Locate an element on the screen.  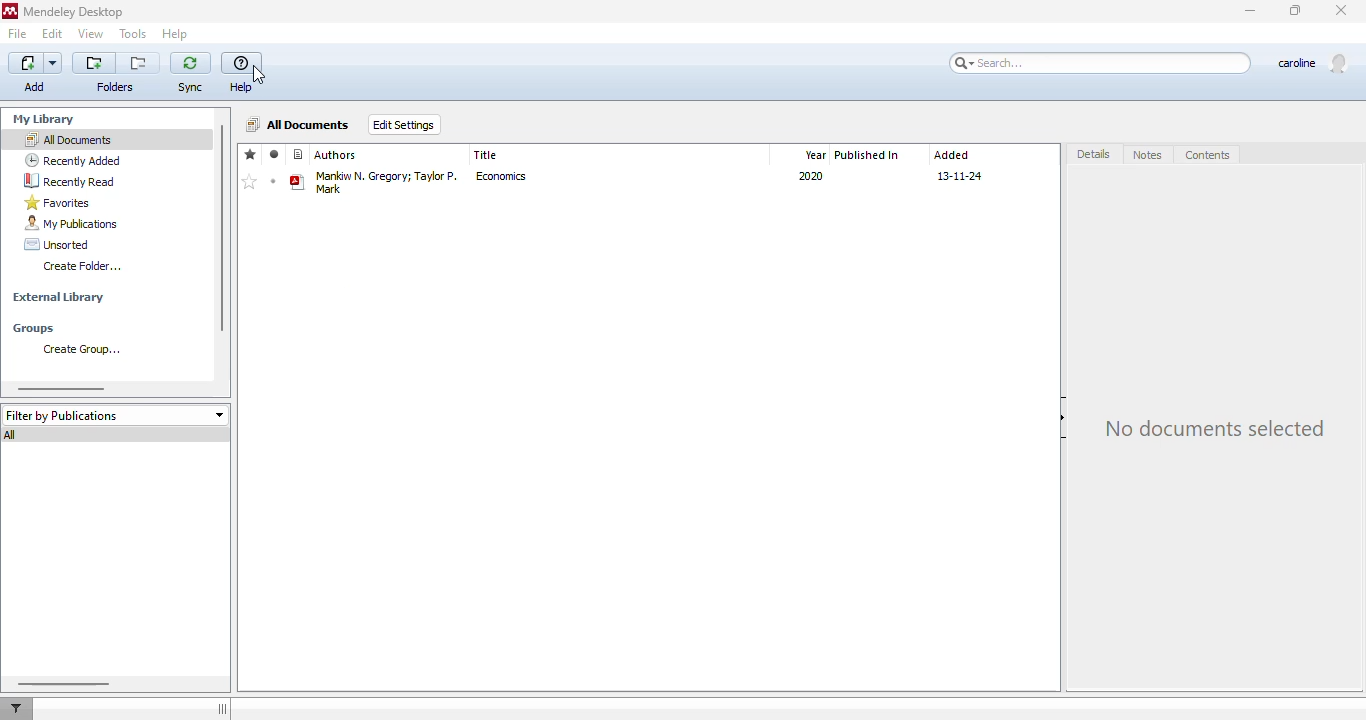
title is located at coordinates (485, 155).